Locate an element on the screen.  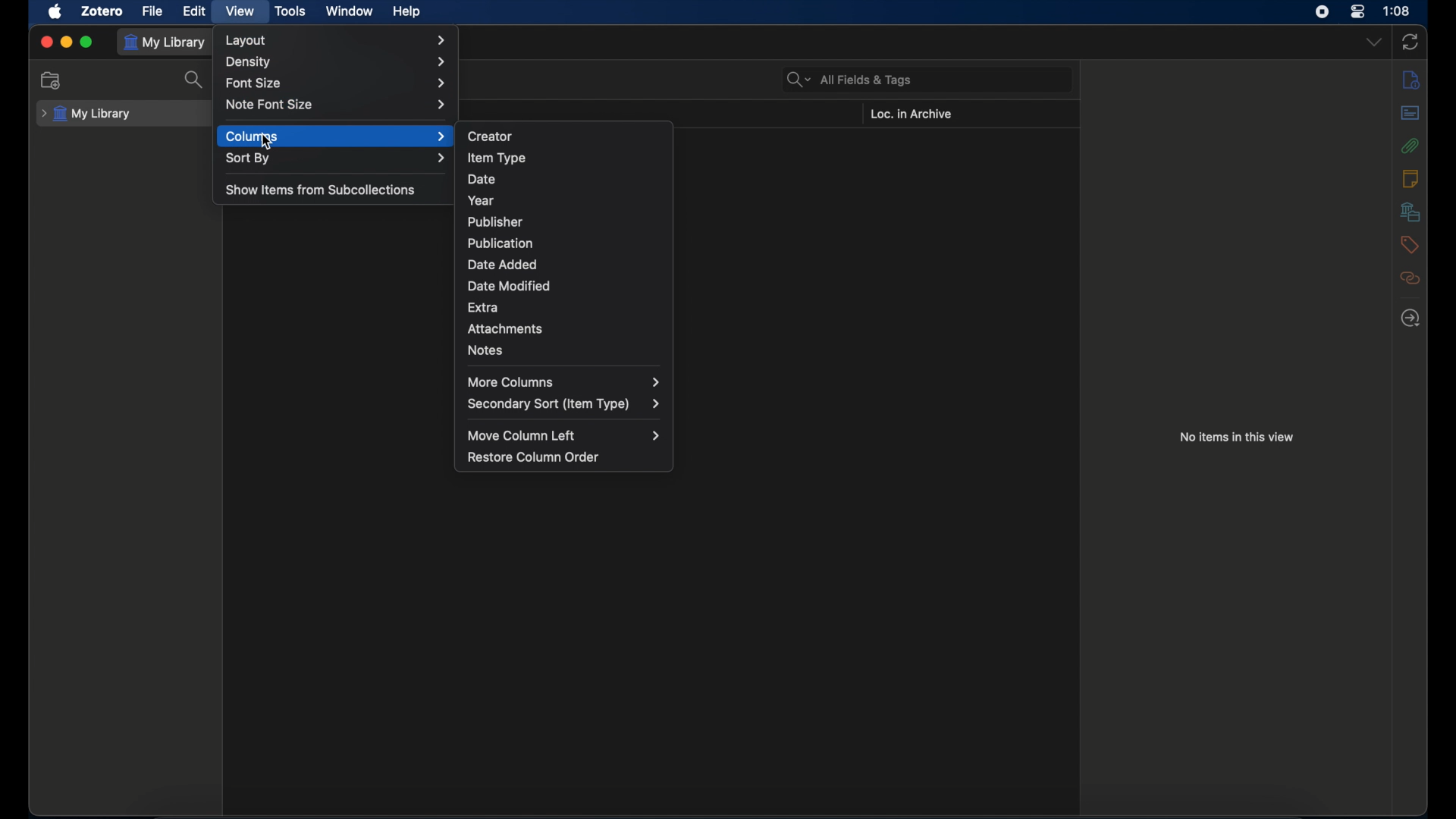
attachments is located at coordinates (504, 329).